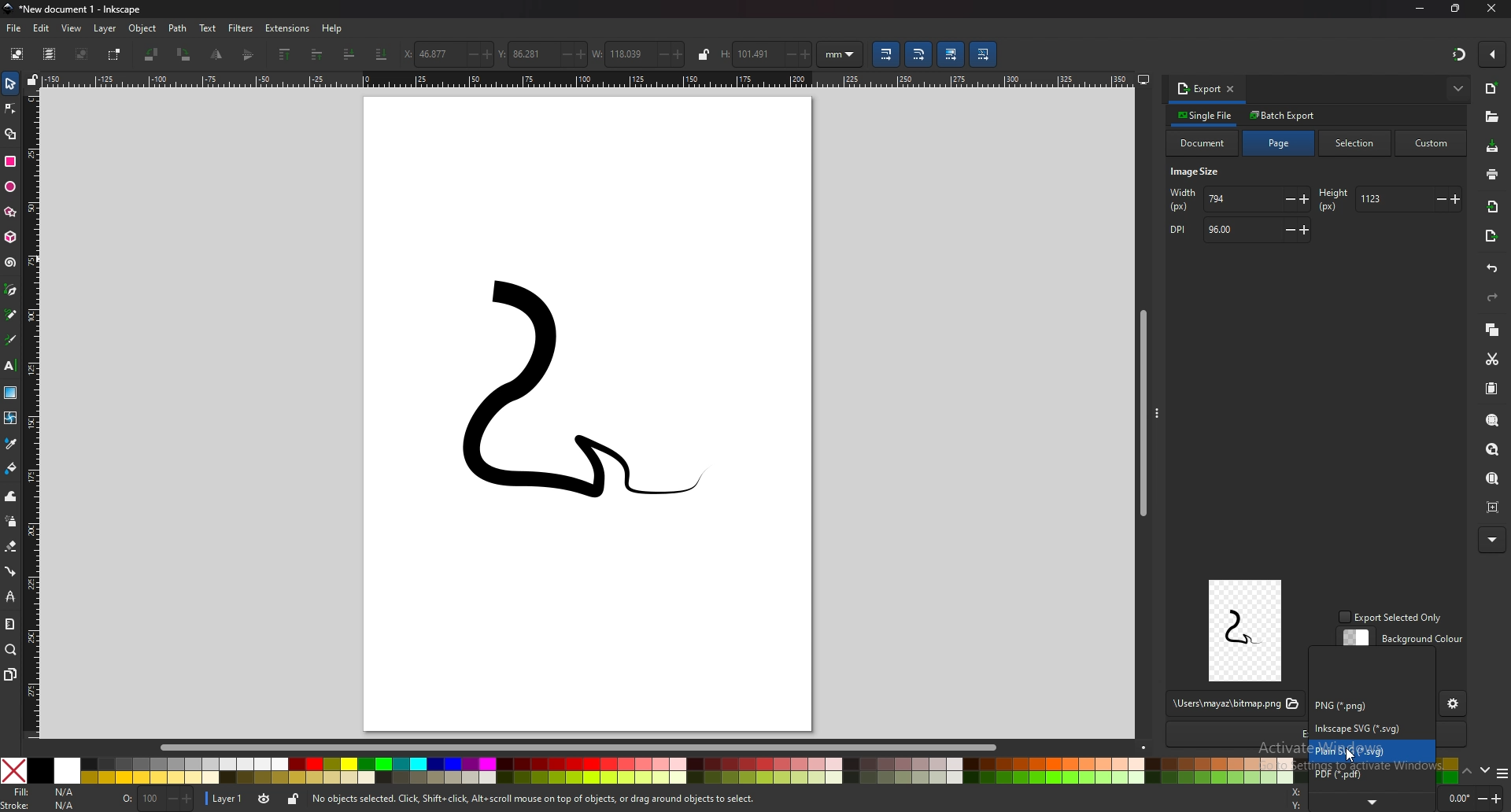 This screenshot has width=1511, height=812. I want to click on layer, so click(227, 797).